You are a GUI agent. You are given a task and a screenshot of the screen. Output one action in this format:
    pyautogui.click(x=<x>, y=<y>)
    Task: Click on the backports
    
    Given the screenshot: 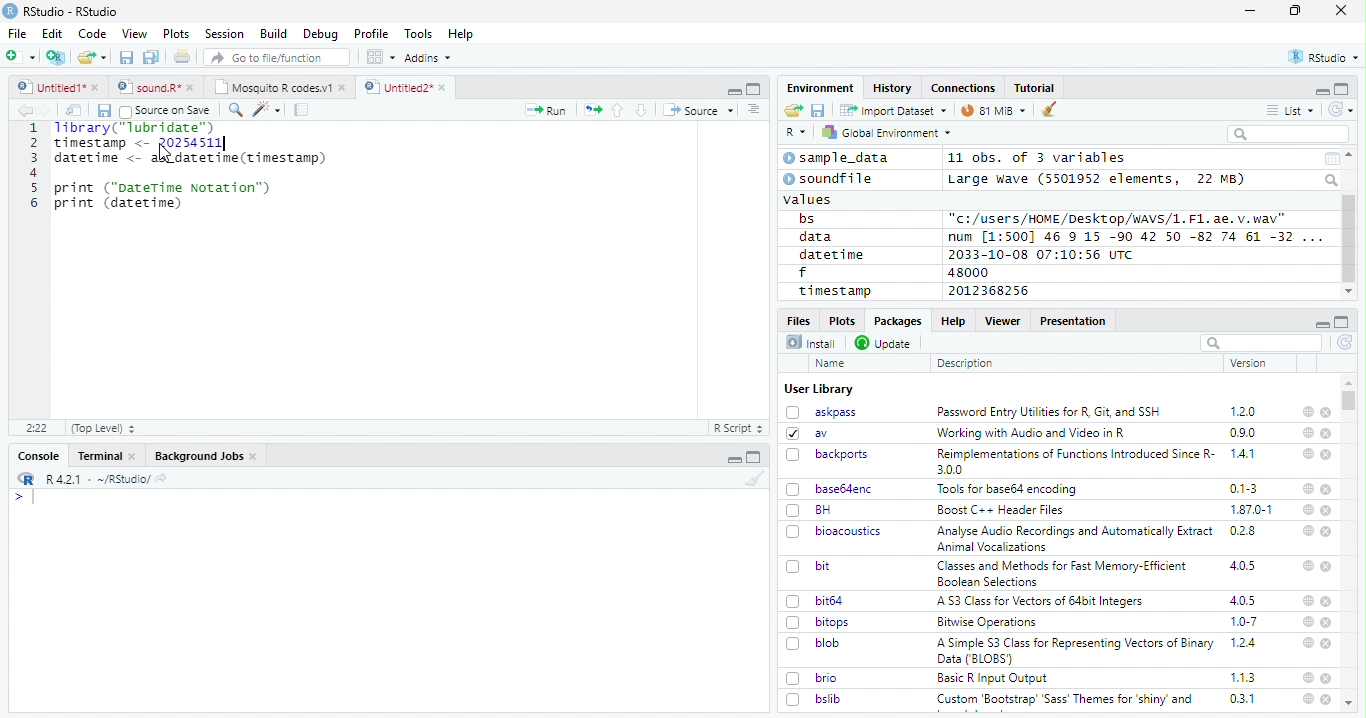 What is the action you would take?
    pyautogui.click(x=830, y=455)
    